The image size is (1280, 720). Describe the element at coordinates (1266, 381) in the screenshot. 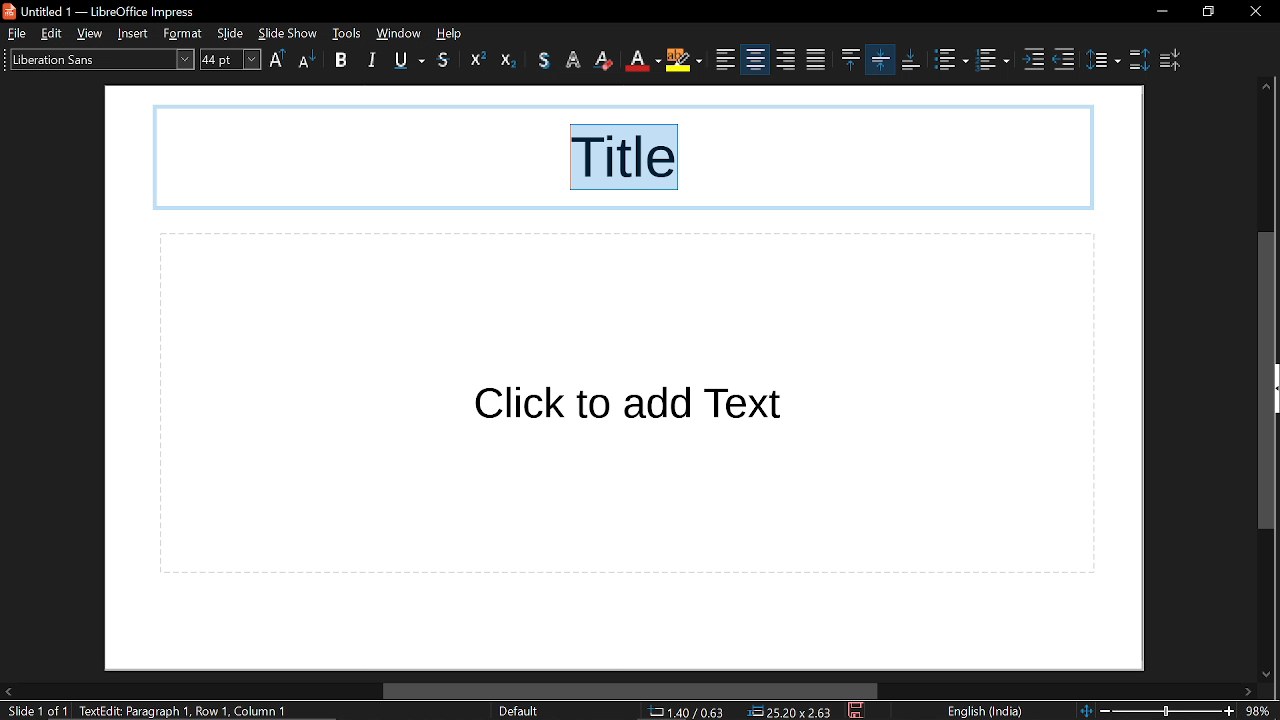

I see `vertical scrollbar` at that location.